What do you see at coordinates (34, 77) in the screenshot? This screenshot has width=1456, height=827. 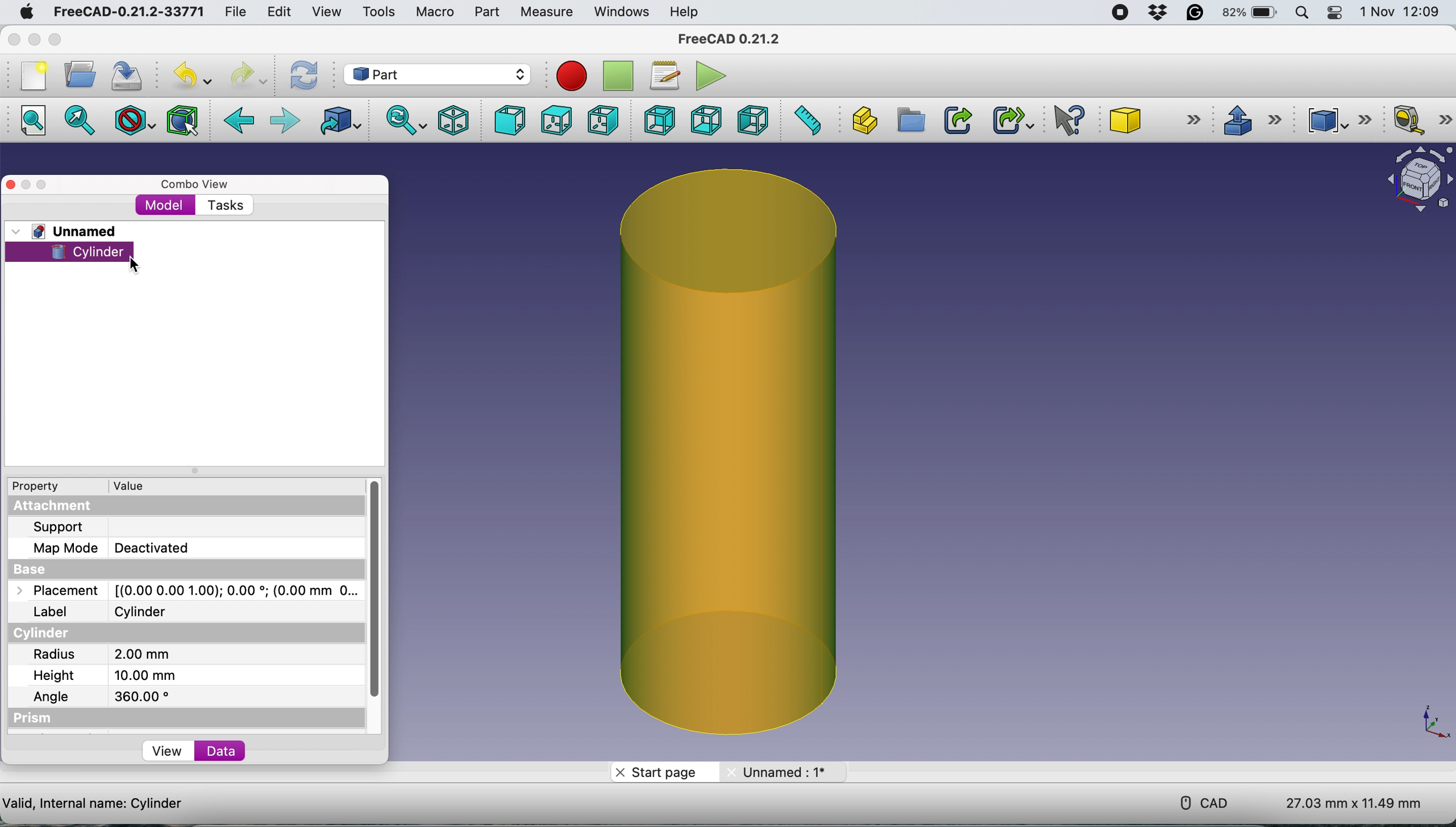 I see `new` at bounding box center [34, 77].